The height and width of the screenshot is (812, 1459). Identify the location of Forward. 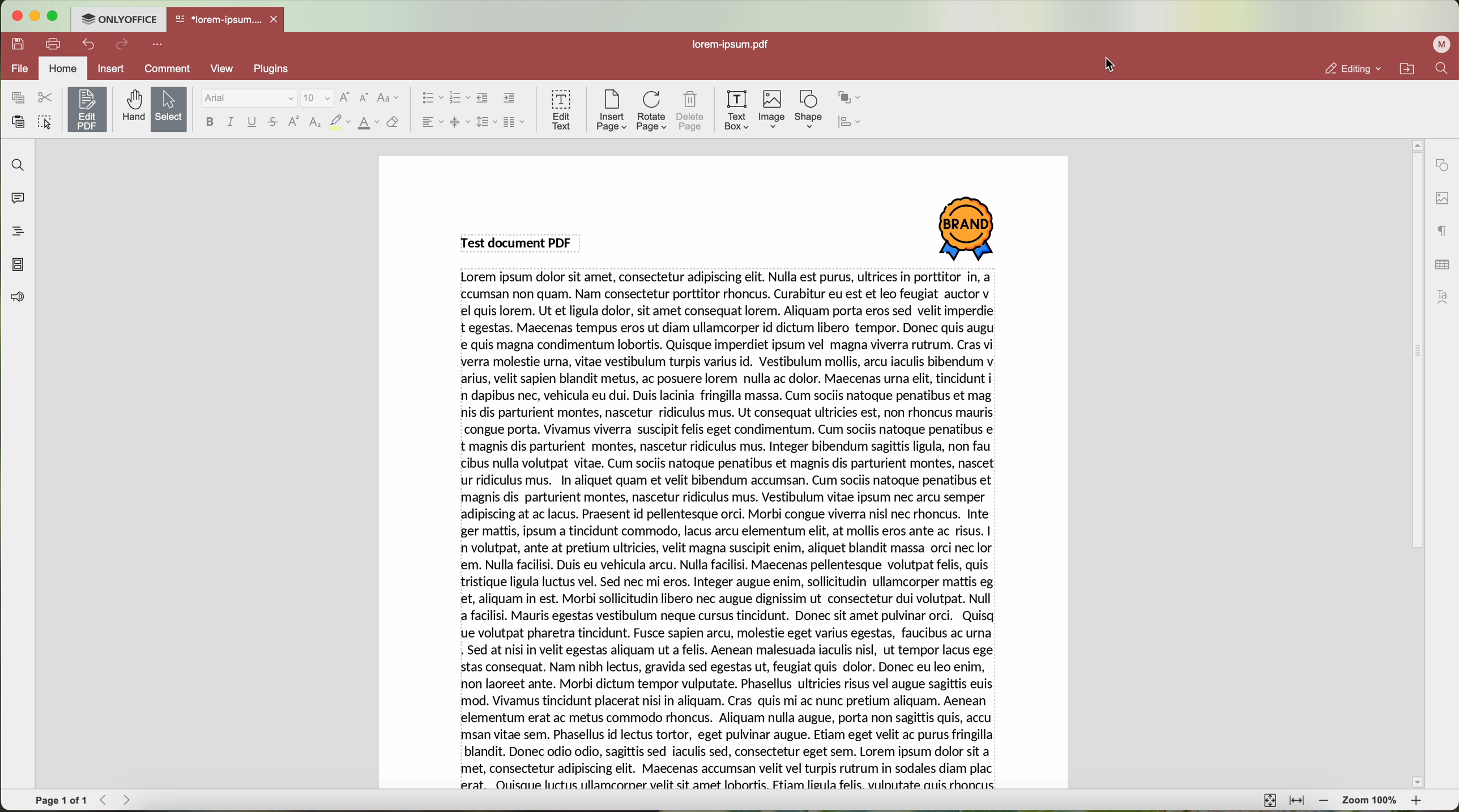
(131, 800).